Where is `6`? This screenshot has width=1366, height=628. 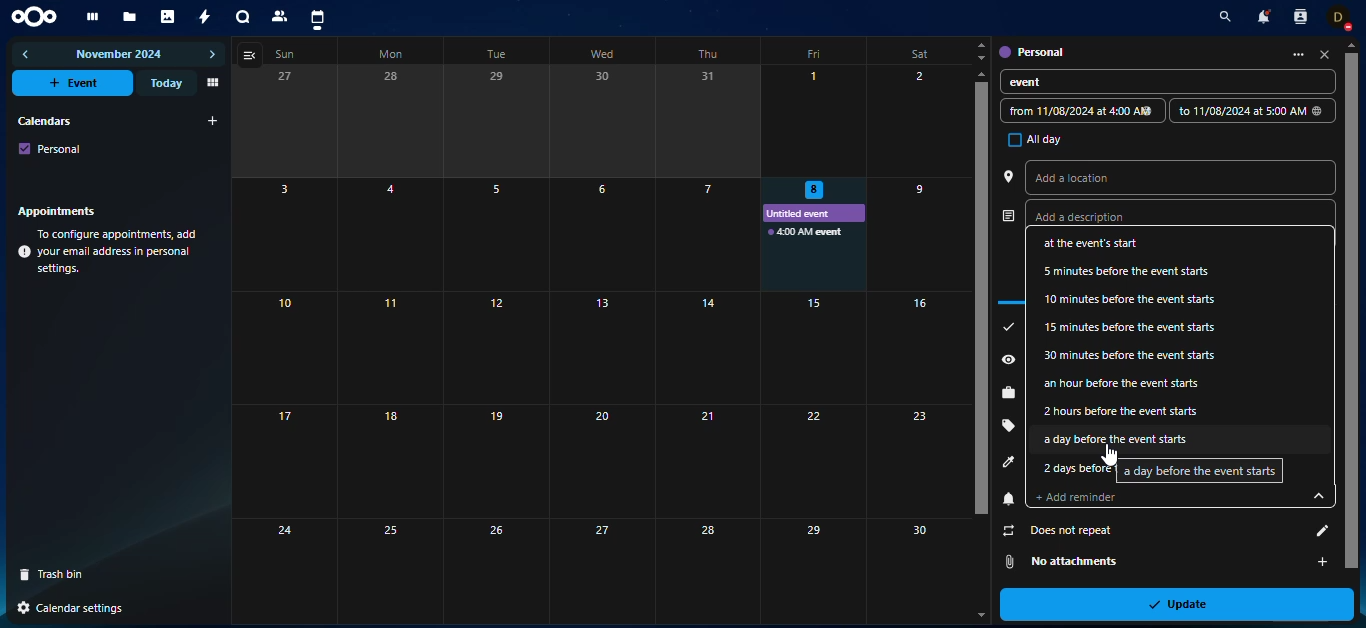
6 is located at coordinates (601, 233).